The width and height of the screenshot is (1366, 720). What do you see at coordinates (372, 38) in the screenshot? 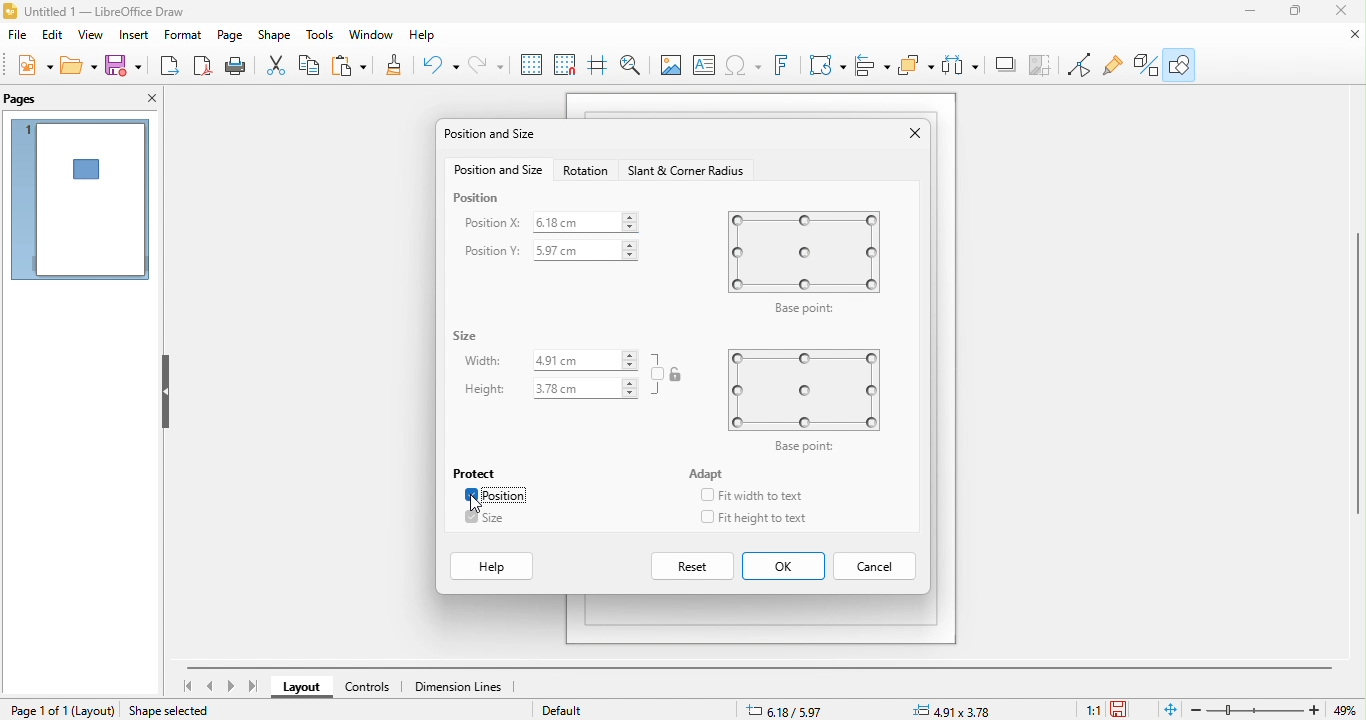
I see `window` at bounding box center [372, 38].